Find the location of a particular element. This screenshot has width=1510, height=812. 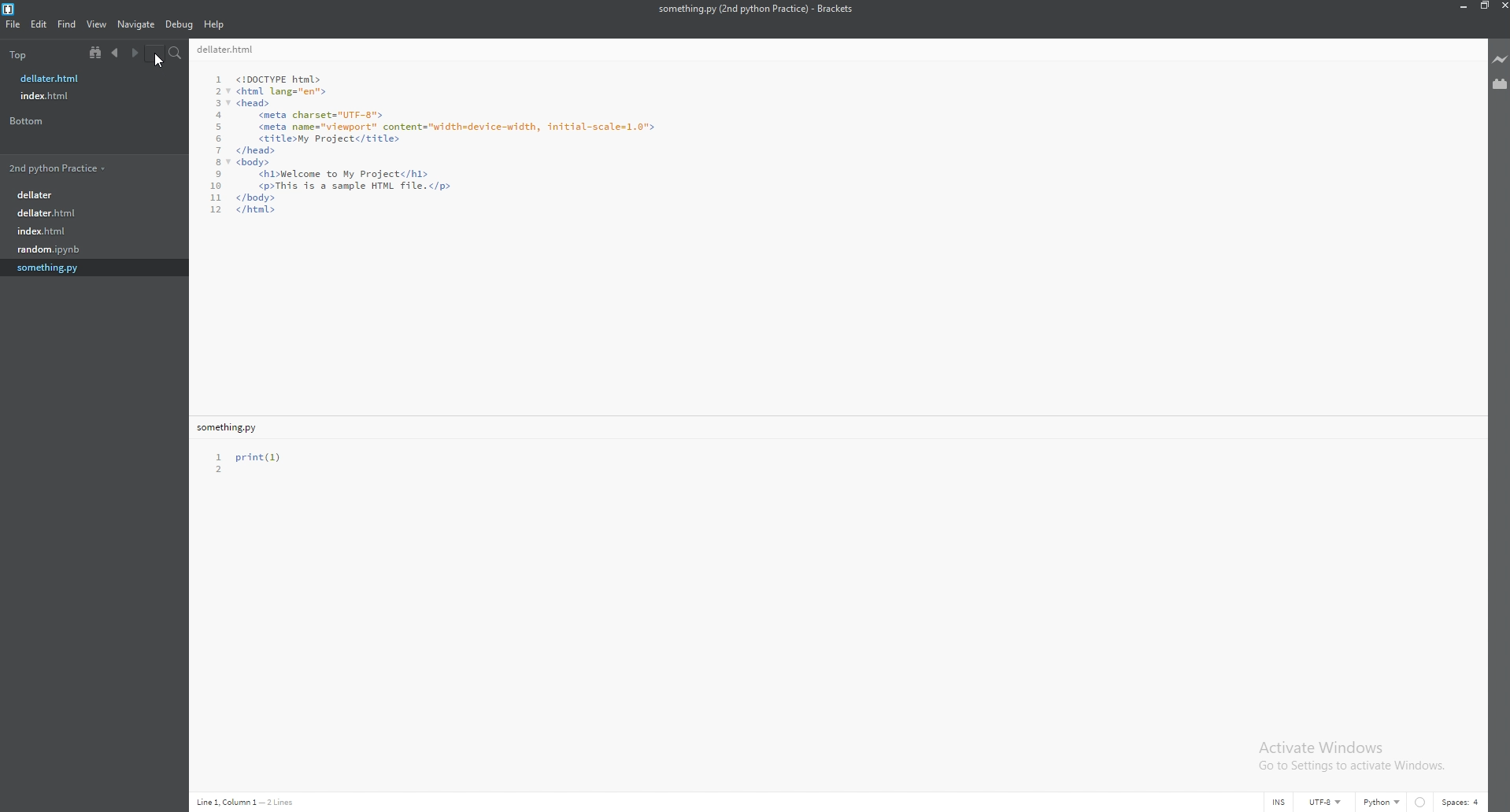

linter is located at coordinates (1419, 803).